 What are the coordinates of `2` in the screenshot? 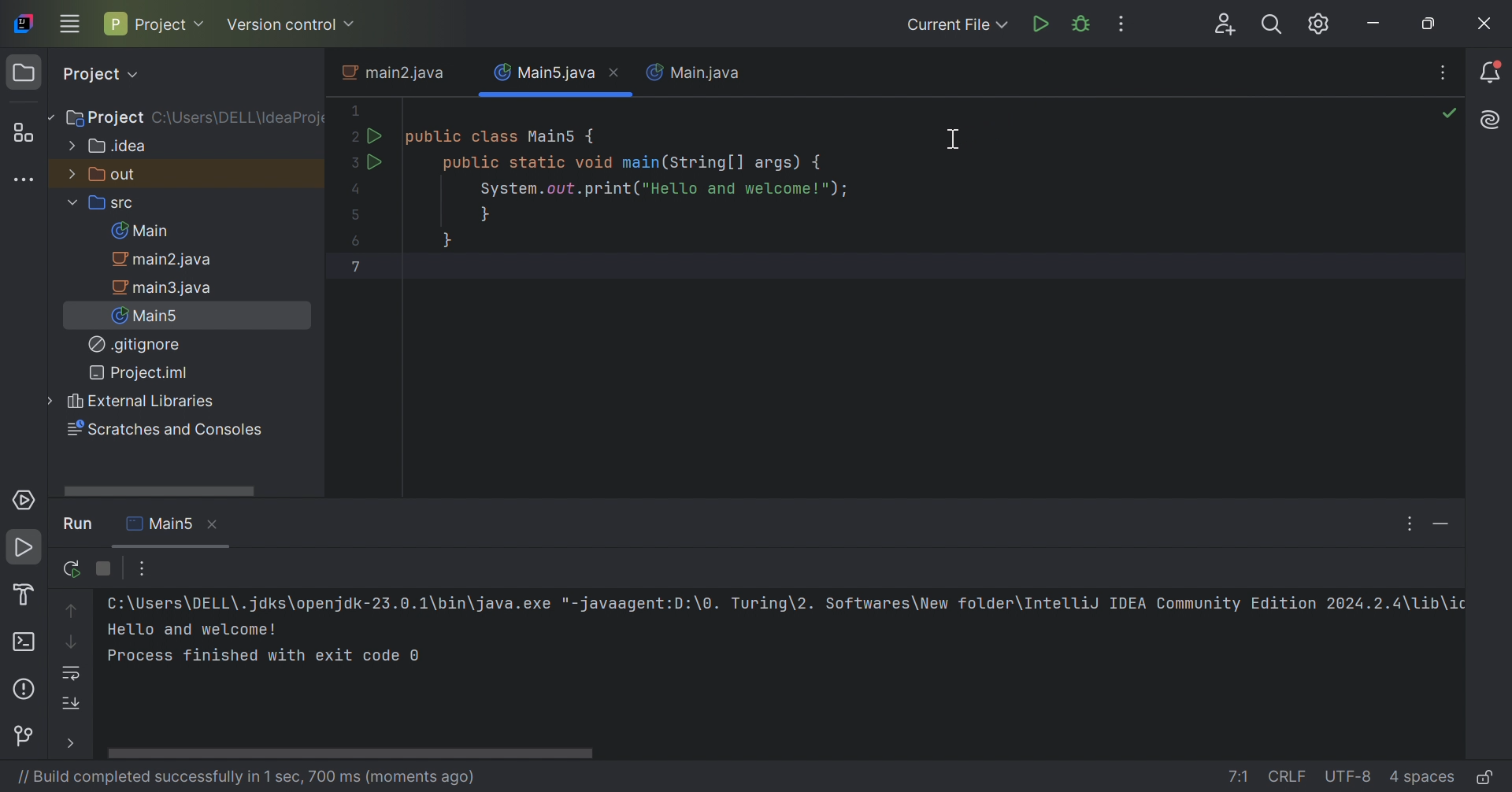 It's located at (354, 137).